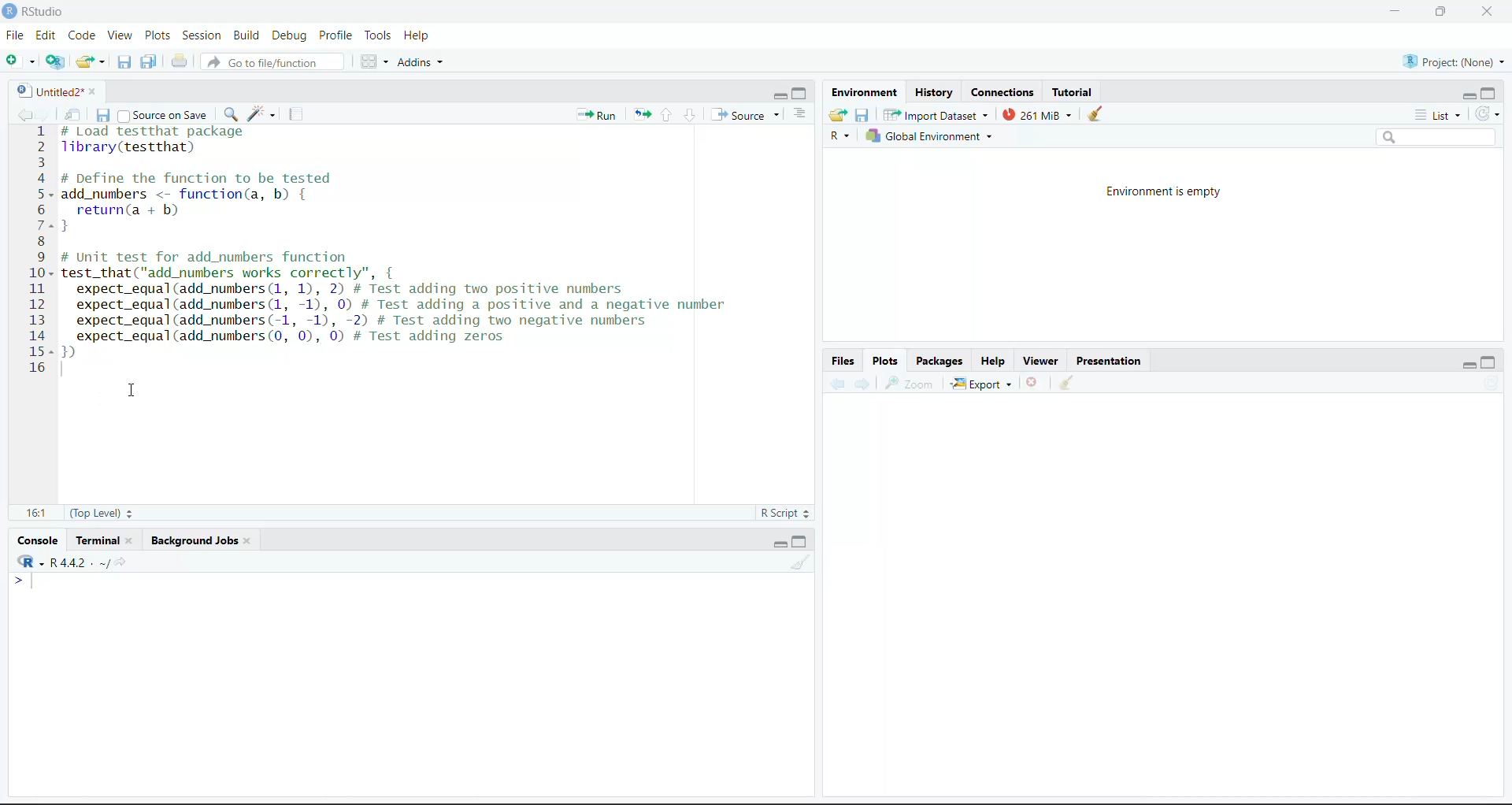 The width and height of the screenshot is (1512, 805). Describe the element at coordinates (863, 115) in the screenshot. I see `Save` at that location.